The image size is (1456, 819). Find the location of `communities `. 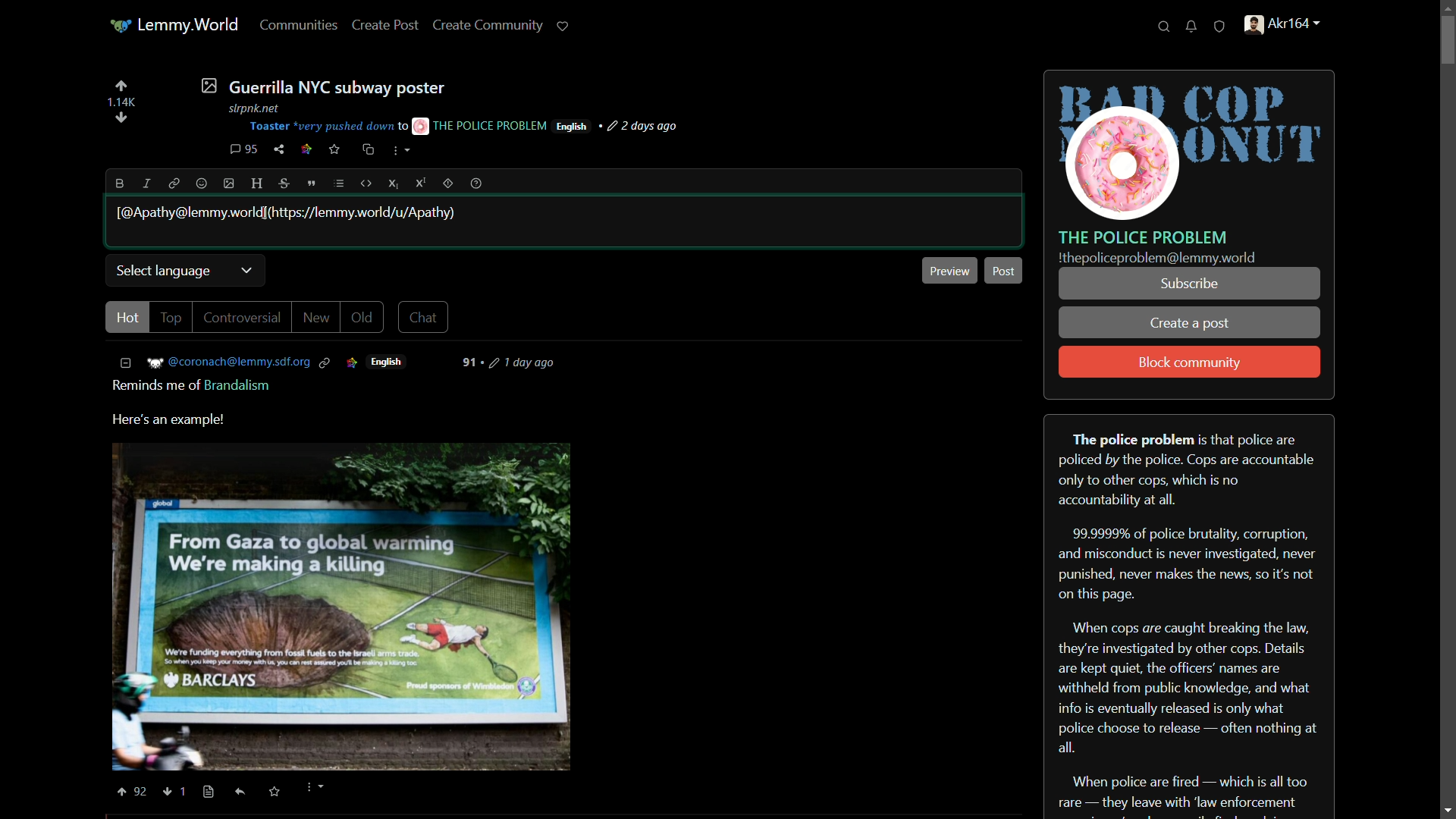

communities  is located at coordinates (299, 24).